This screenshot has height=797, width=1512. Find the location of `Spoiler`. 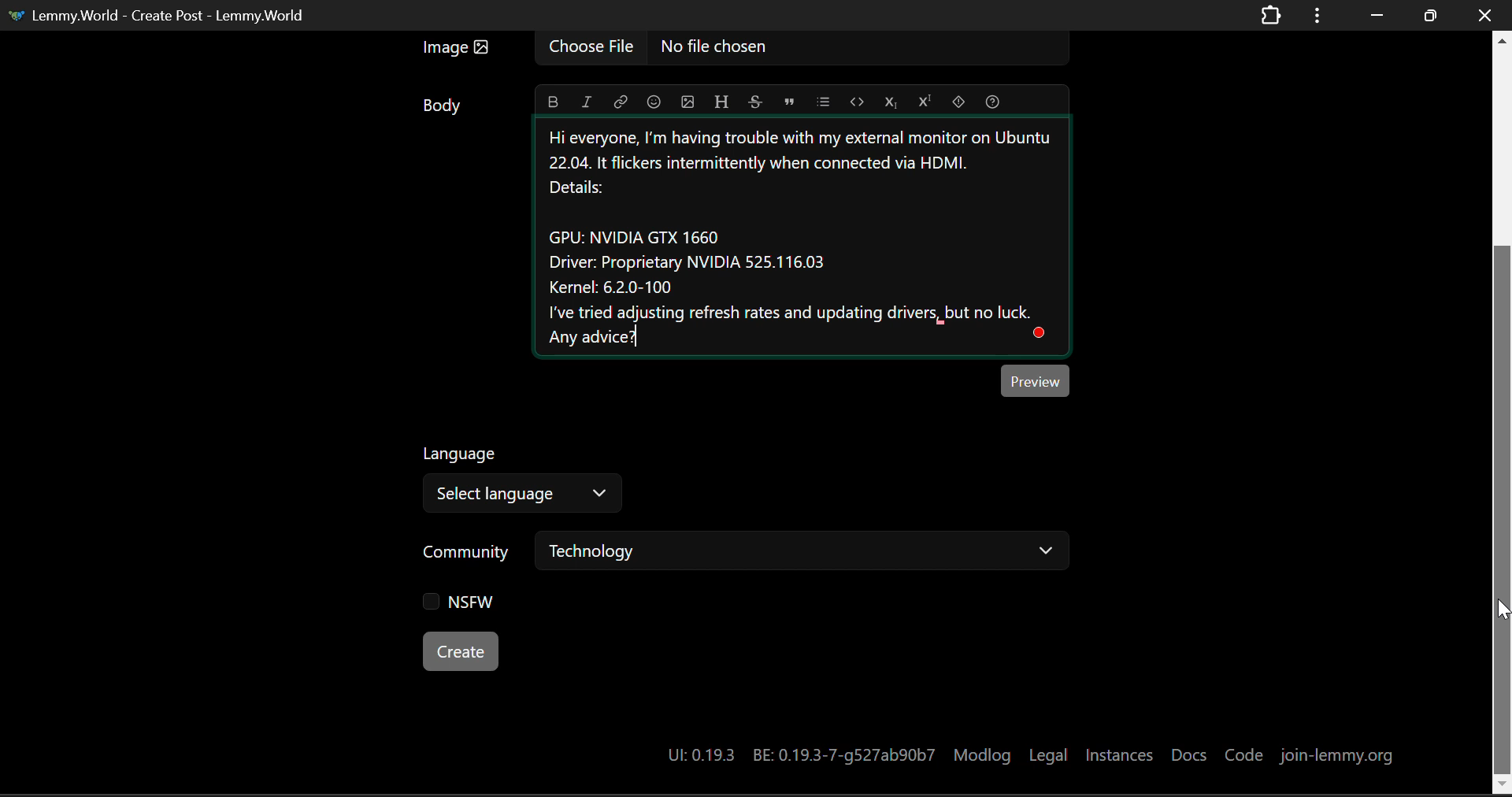

Spoiler is located at coordinates (958, 99).